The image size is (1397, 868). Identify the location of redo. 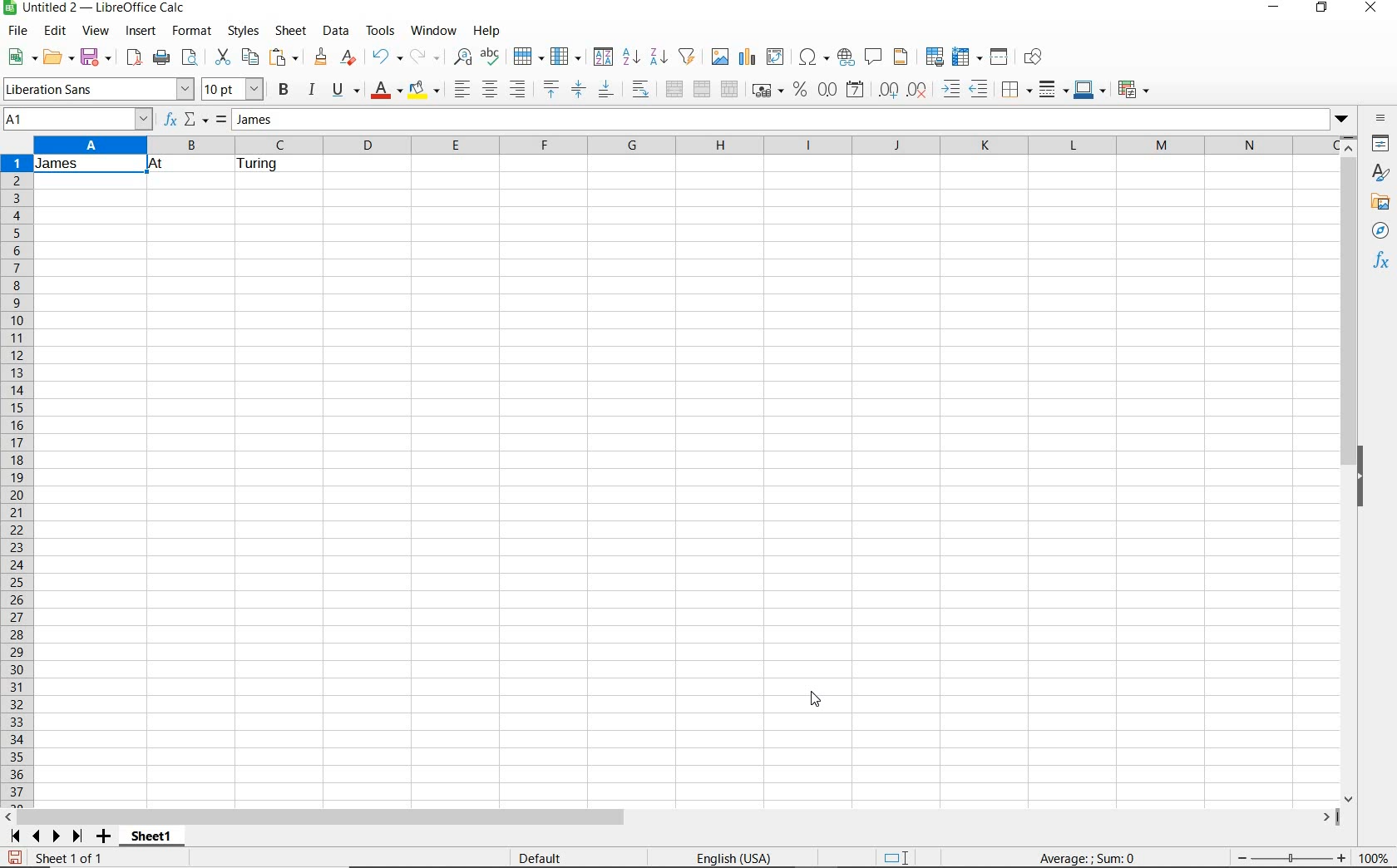
(426, 57).